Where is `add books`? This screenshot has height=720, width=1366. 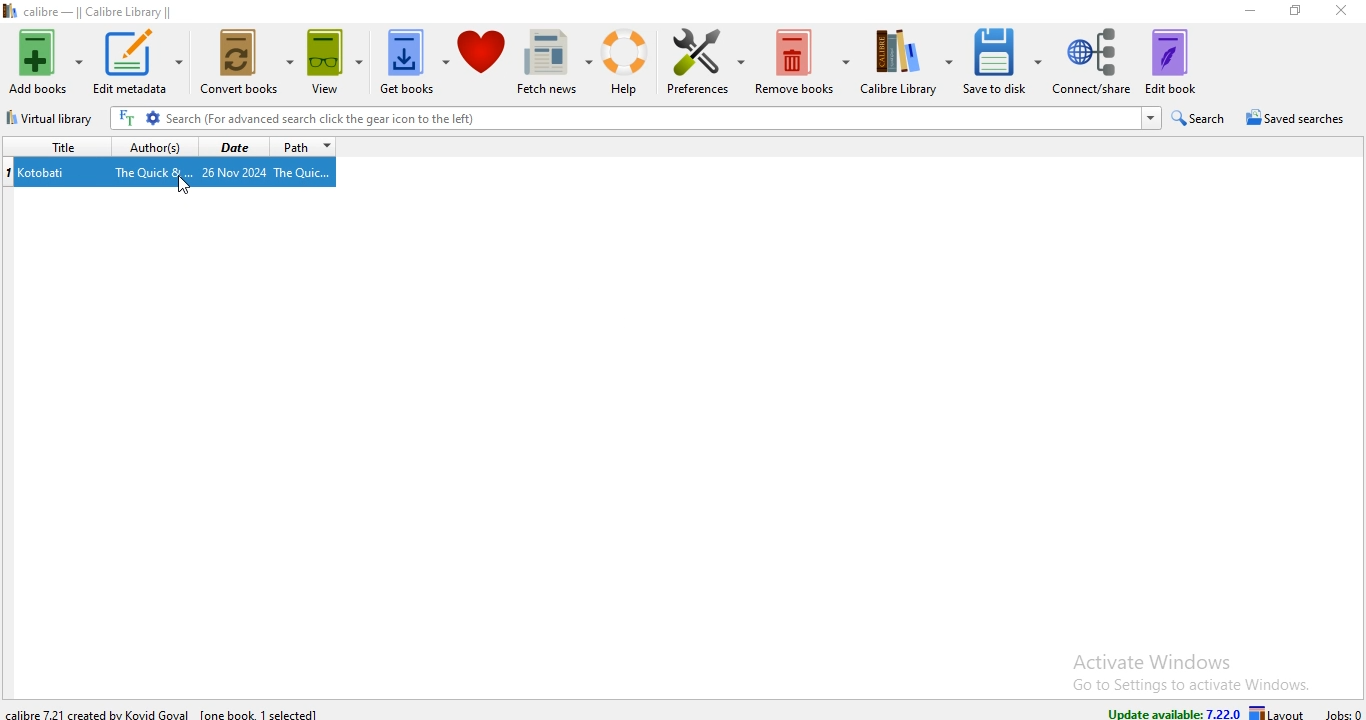
add books is located at coordinates (45, 62).